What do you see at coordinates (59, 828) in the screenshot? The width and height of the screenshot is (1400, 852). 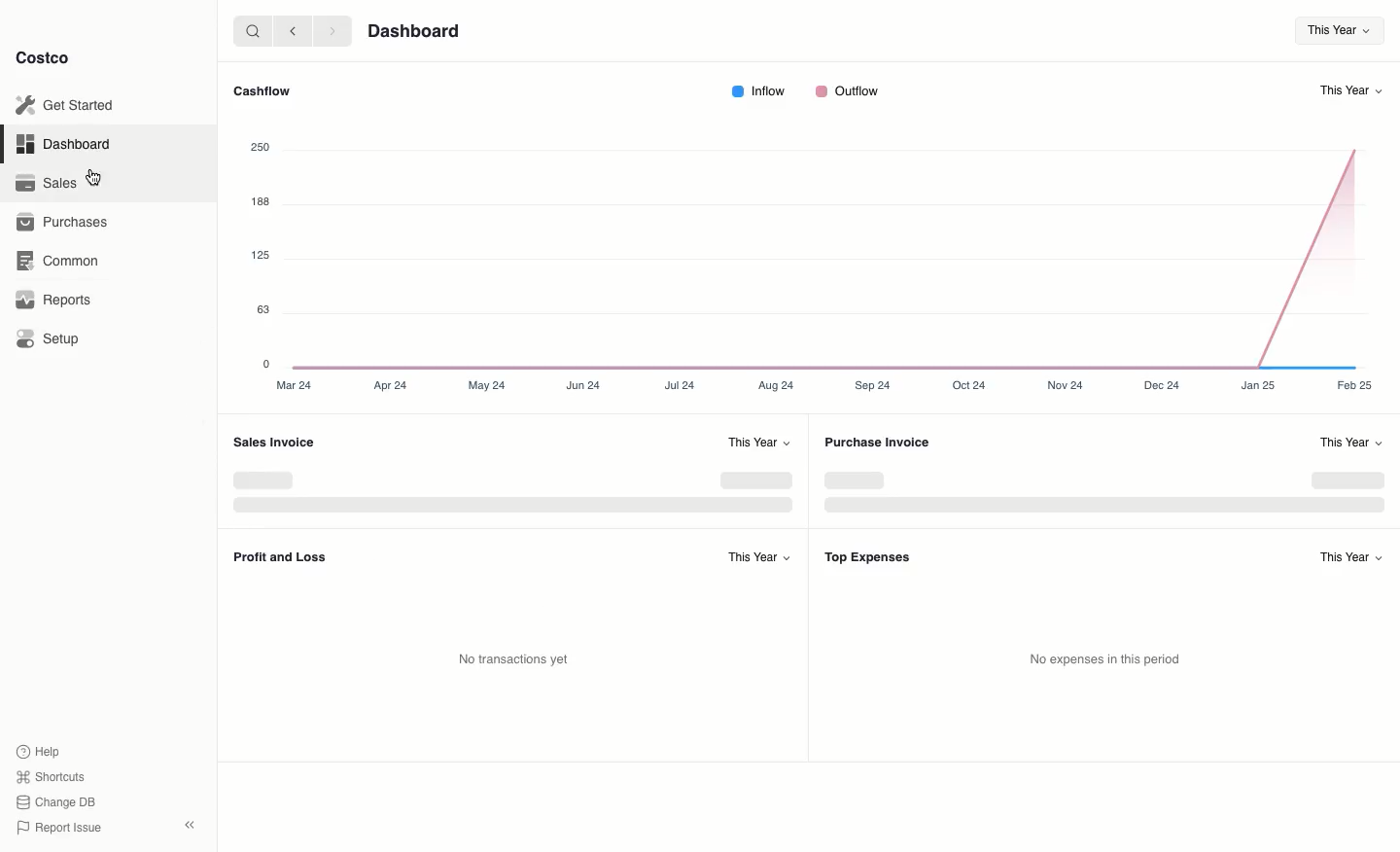 I see `Report Issue` at bounding box center [59, 828].